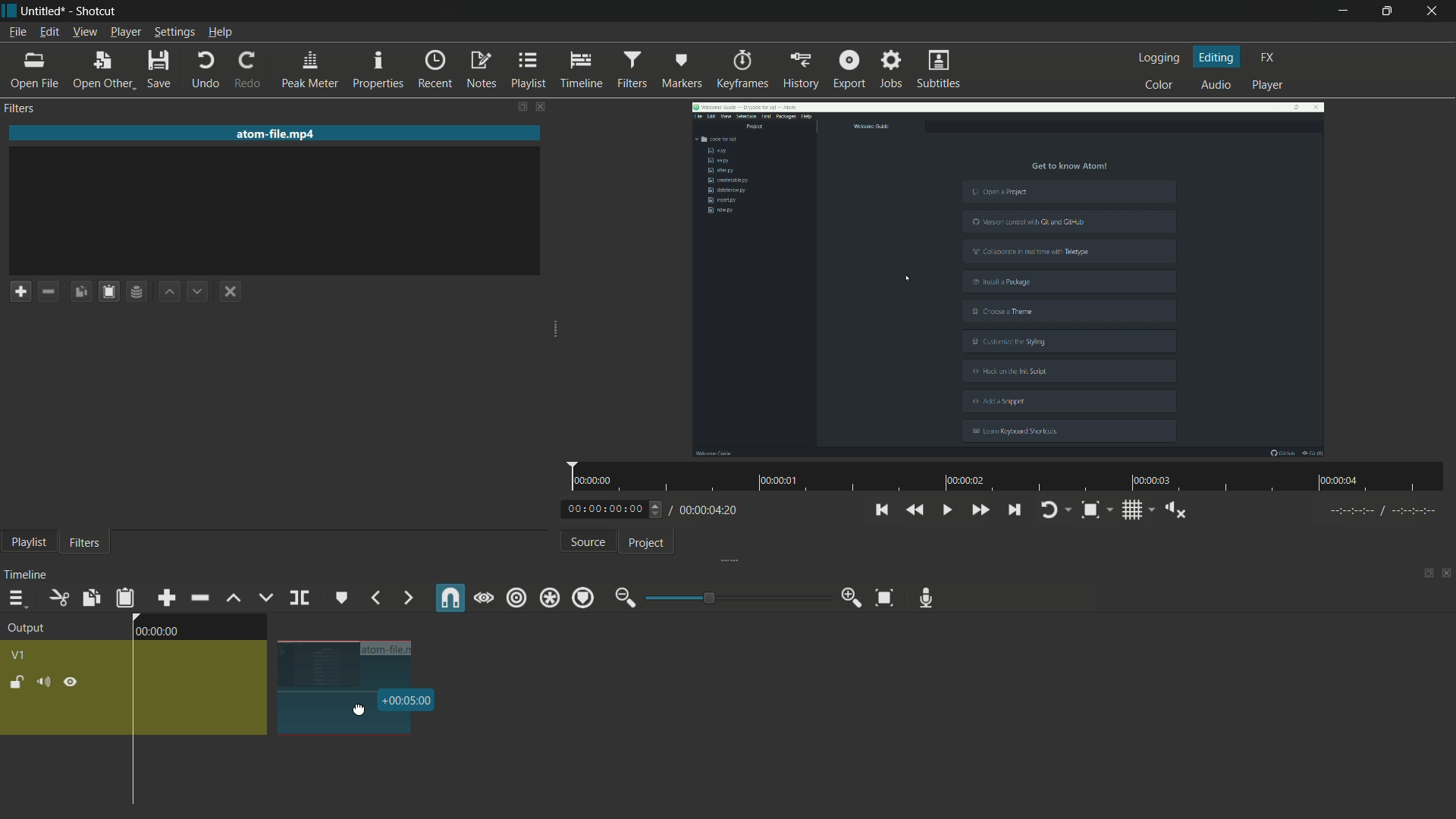  Describe the element at coordinates (1217, 86) in the screenshot. I see `audio` at that location.